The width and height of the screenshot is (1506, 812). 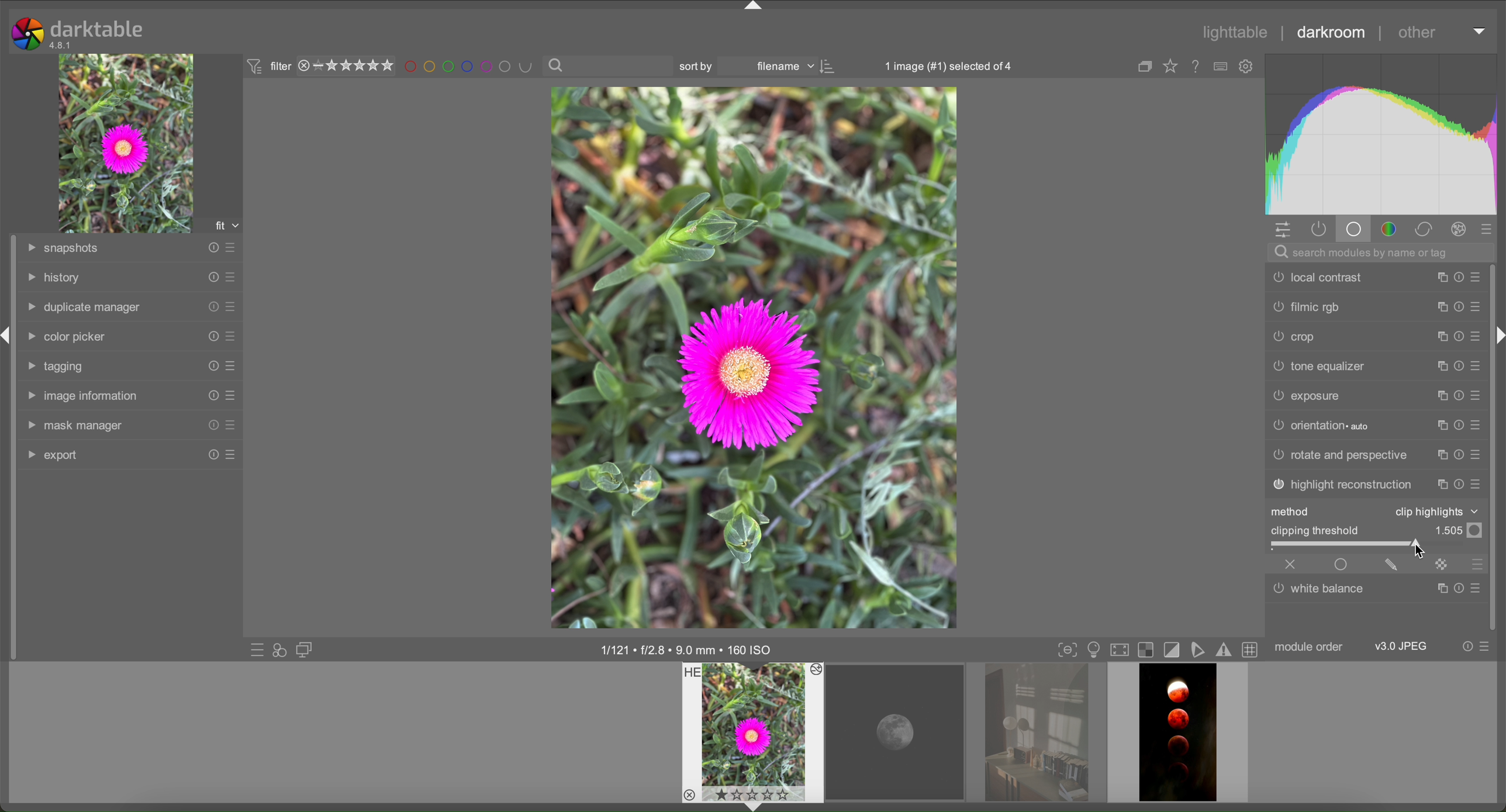 What do you see at coordinates (609, 66) in the screenshot?
I see `search bar` at bounding box center [609, 66].